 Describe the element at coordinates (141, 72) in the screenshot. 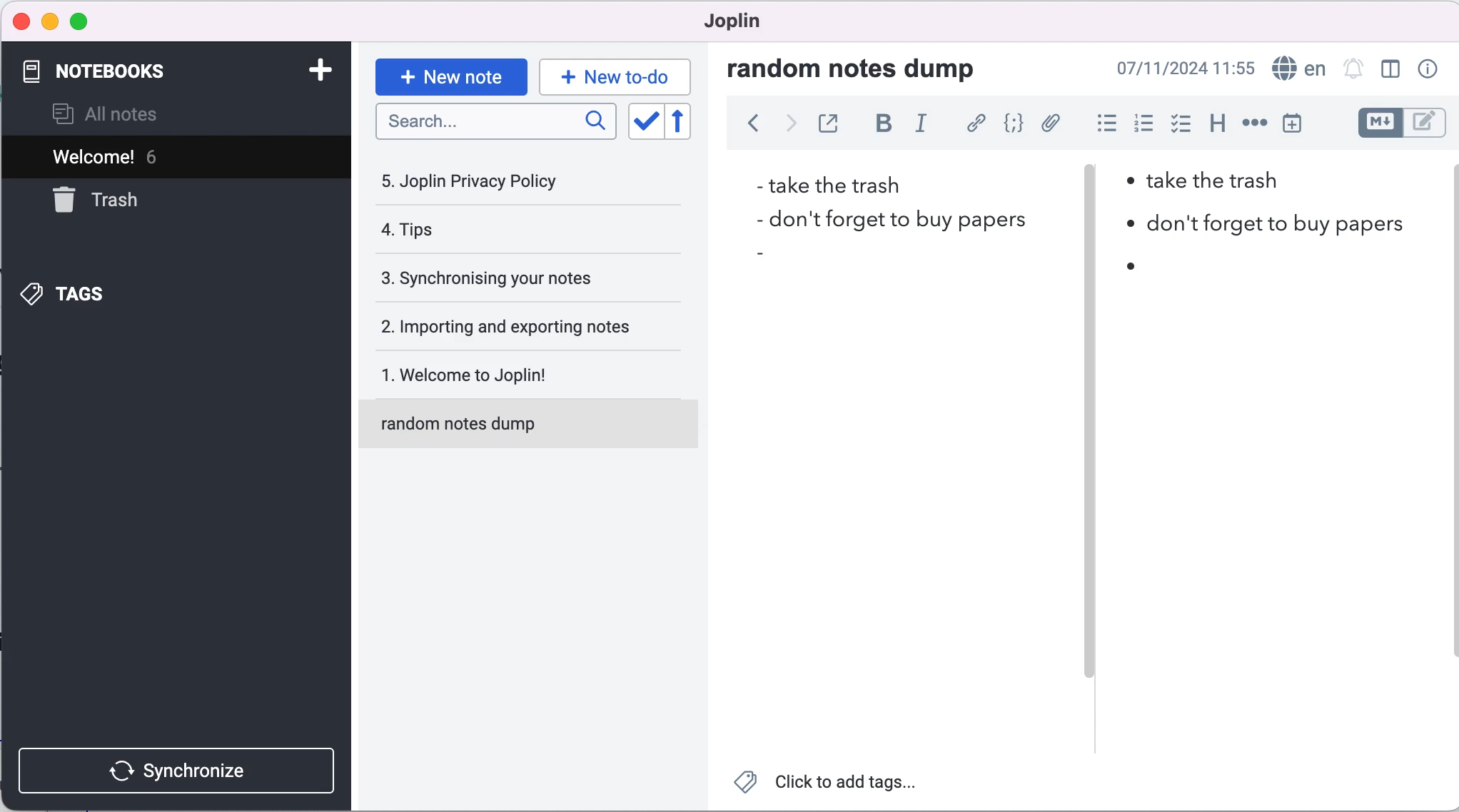

I see `notebooks` at that location.